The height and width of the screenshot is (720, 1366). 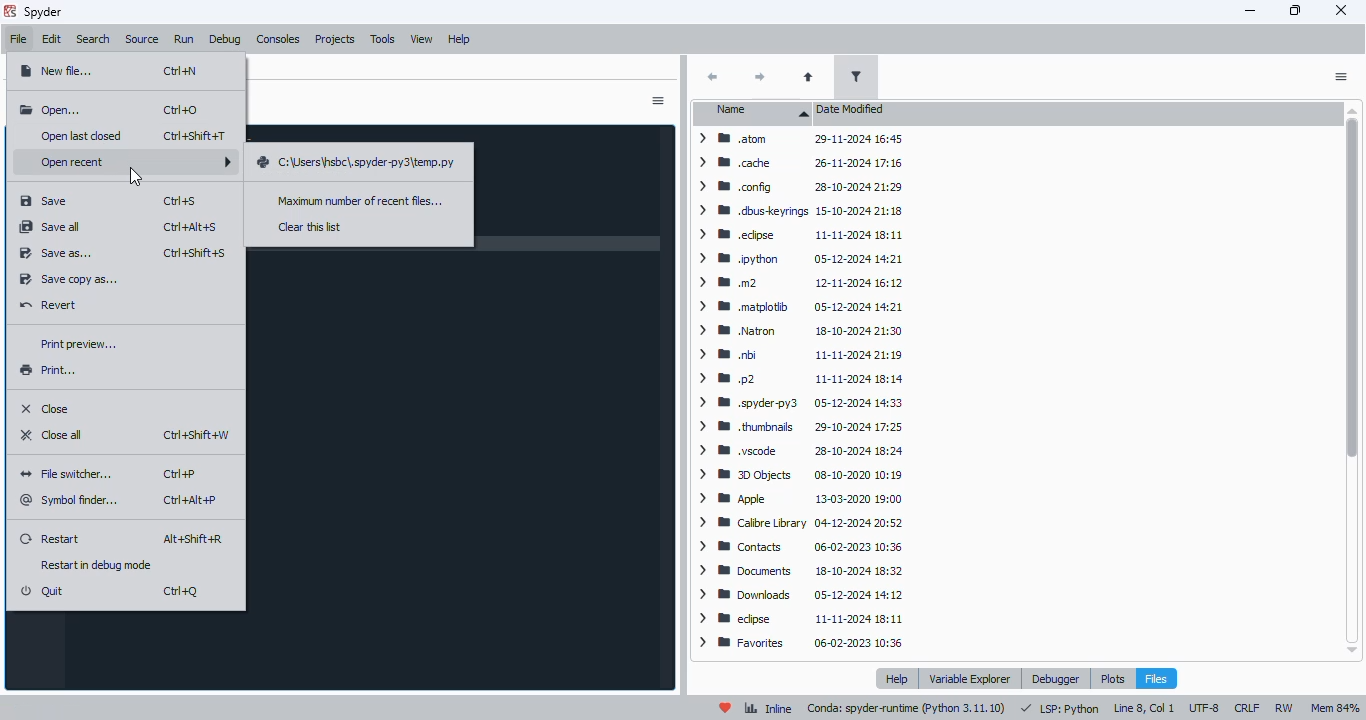 I want to click on actions, so click(x=1340, y=77).